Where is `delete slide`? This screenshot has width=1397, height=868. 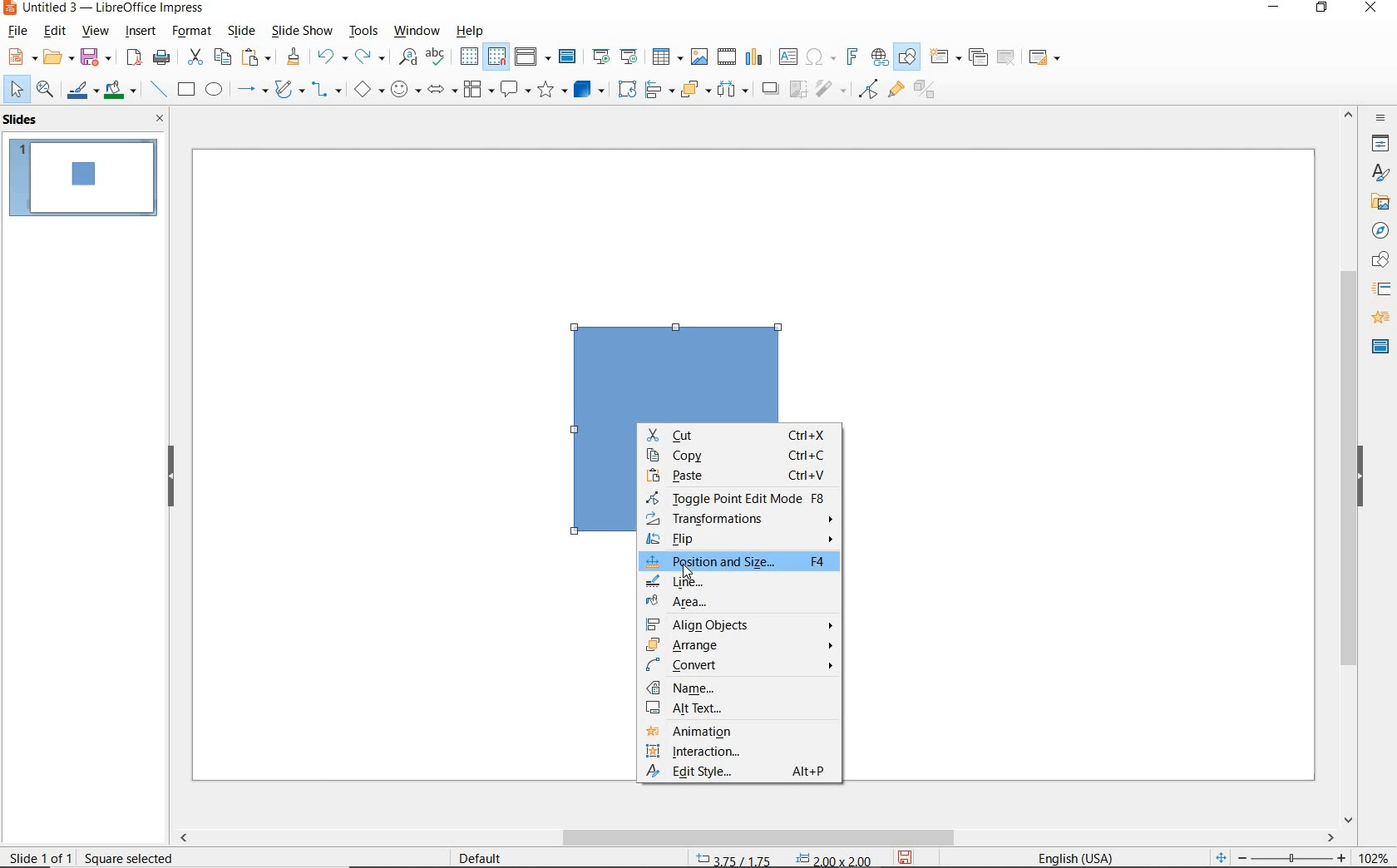
delete slide is located at coordinates (1009, 57).